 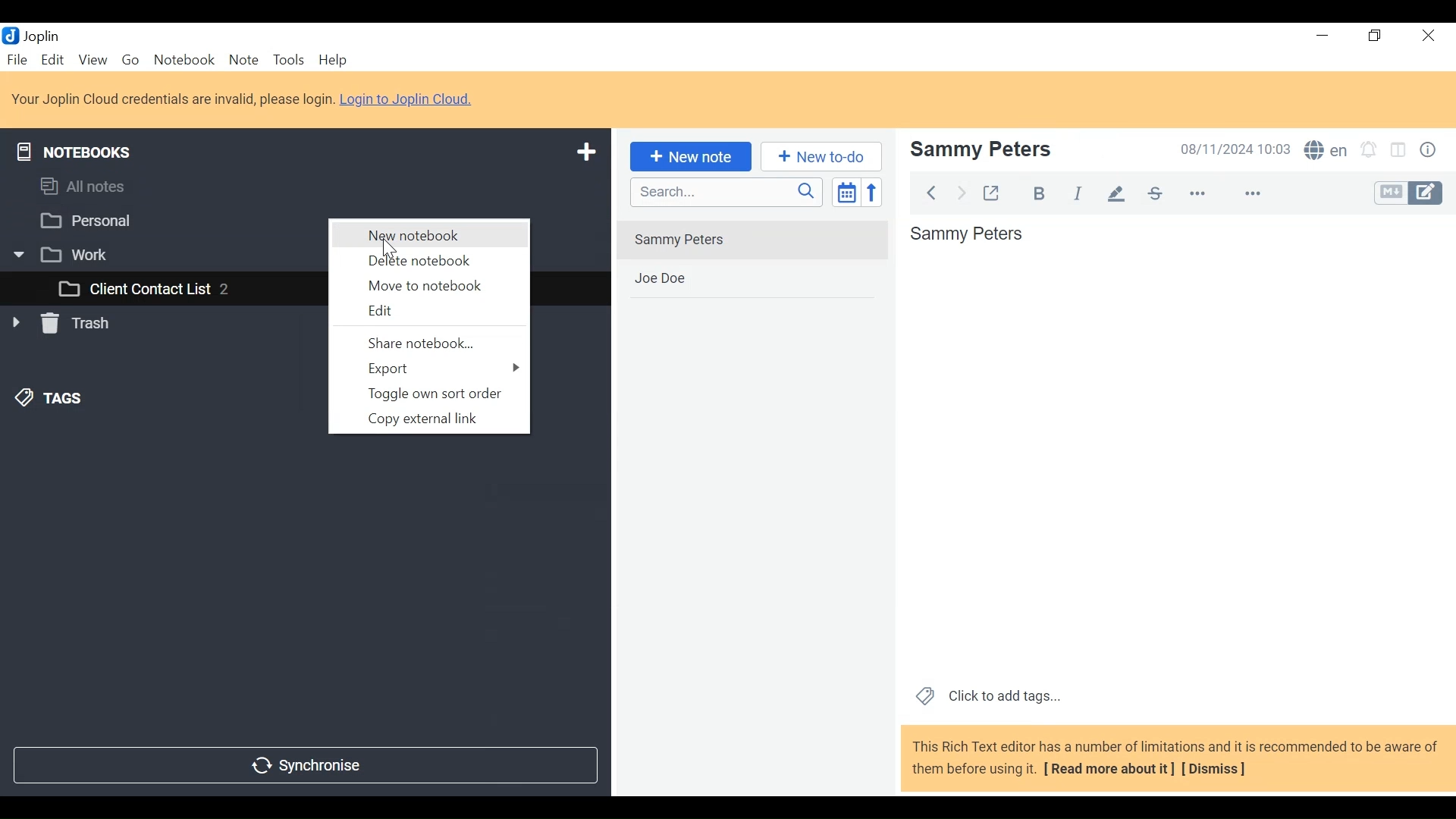 I want to click on Highlight , so click(x=1116, y=194).